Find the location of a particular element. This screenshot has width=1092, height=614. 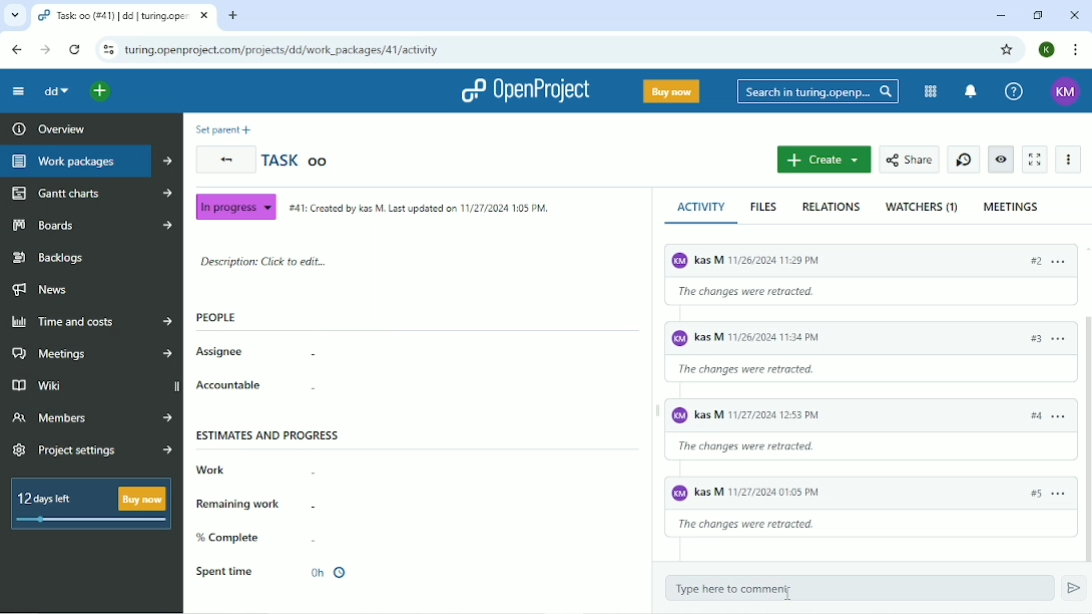

Modules is located at coordinates (931, 92).